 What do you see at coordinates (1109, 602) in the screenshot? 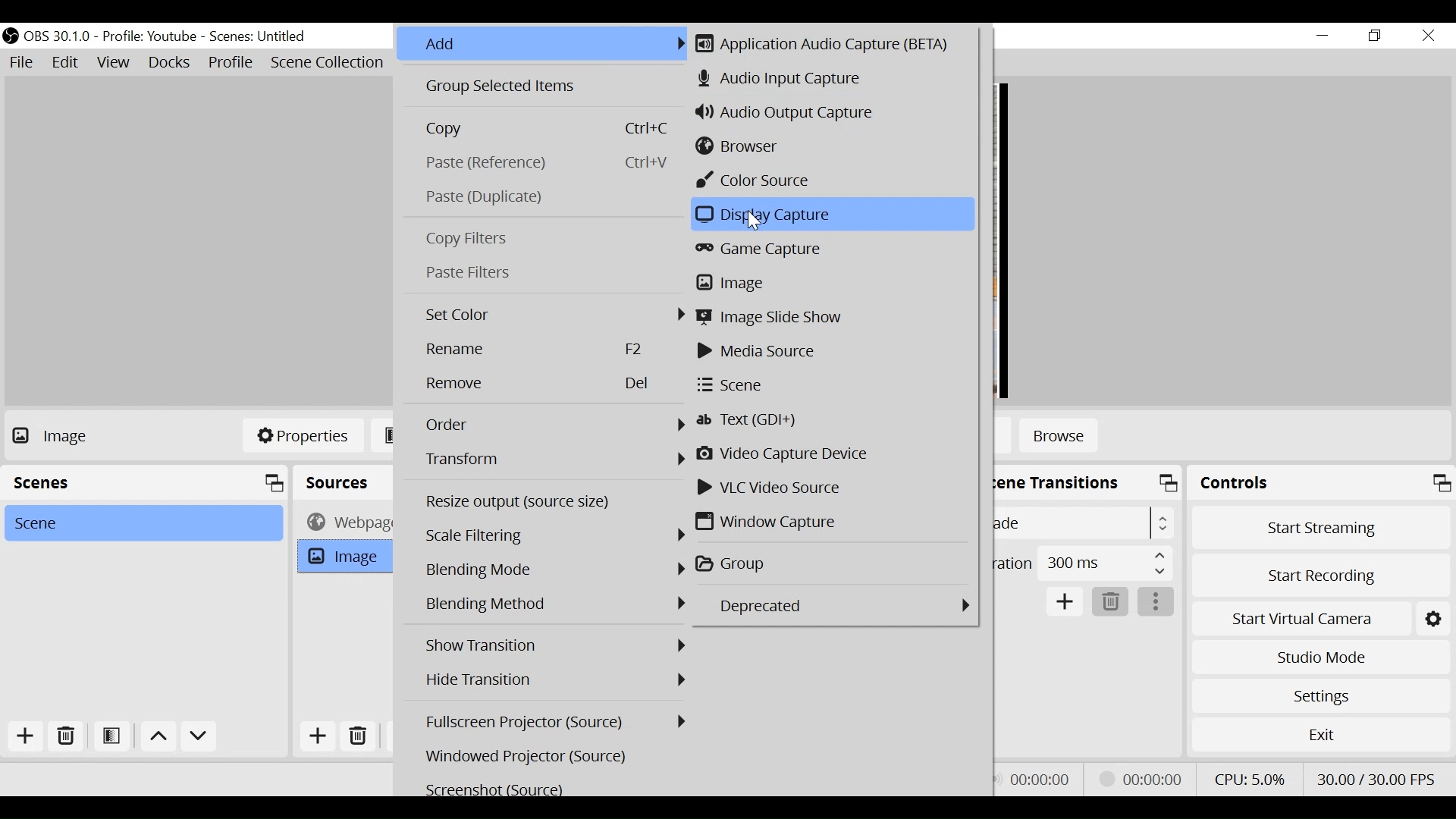
I see `Delete` at bounding box center [1109, 602].